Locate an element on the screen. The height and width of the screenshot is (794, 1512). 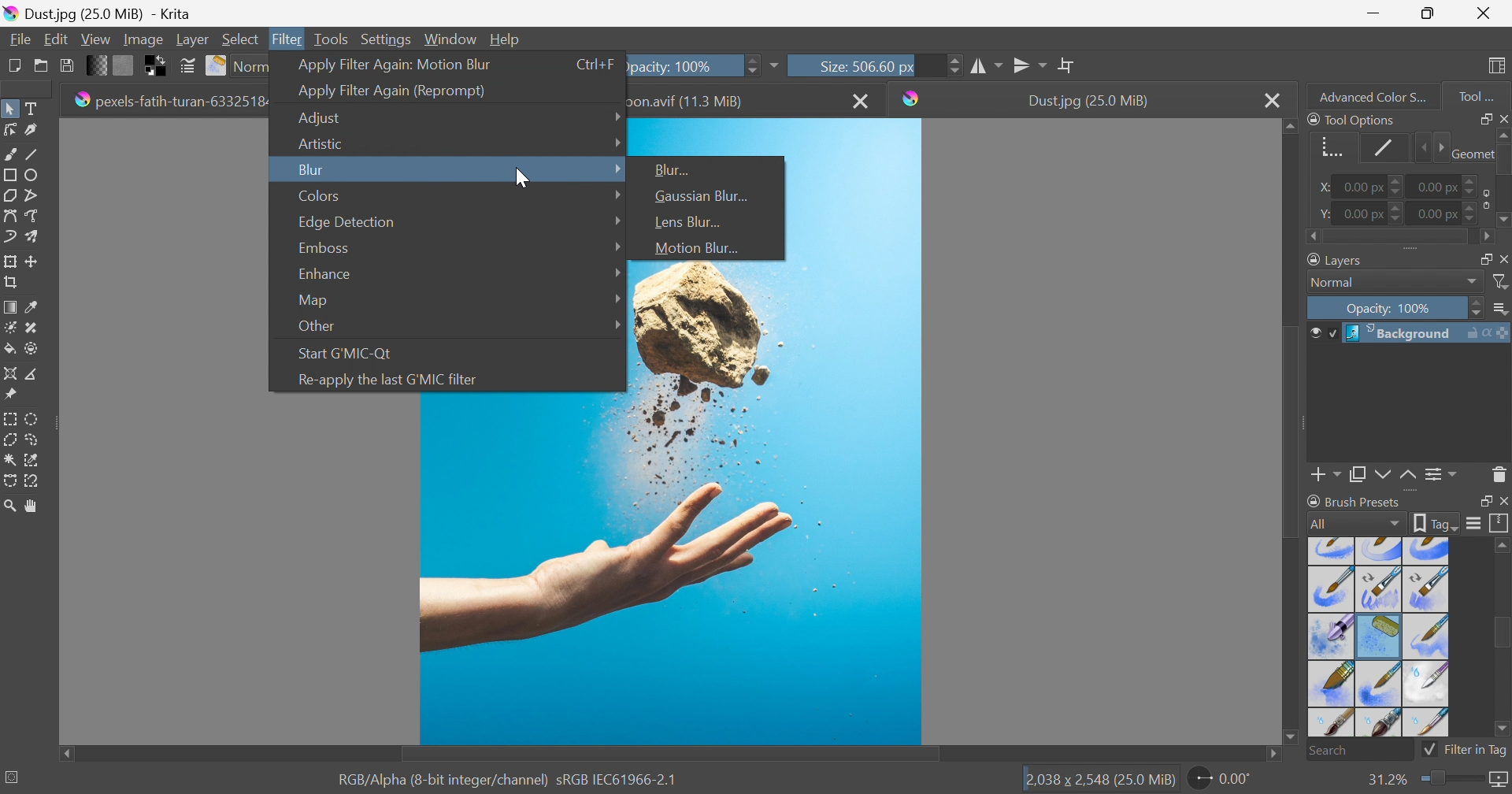
Drop Down is located at coordinates (617, 273).